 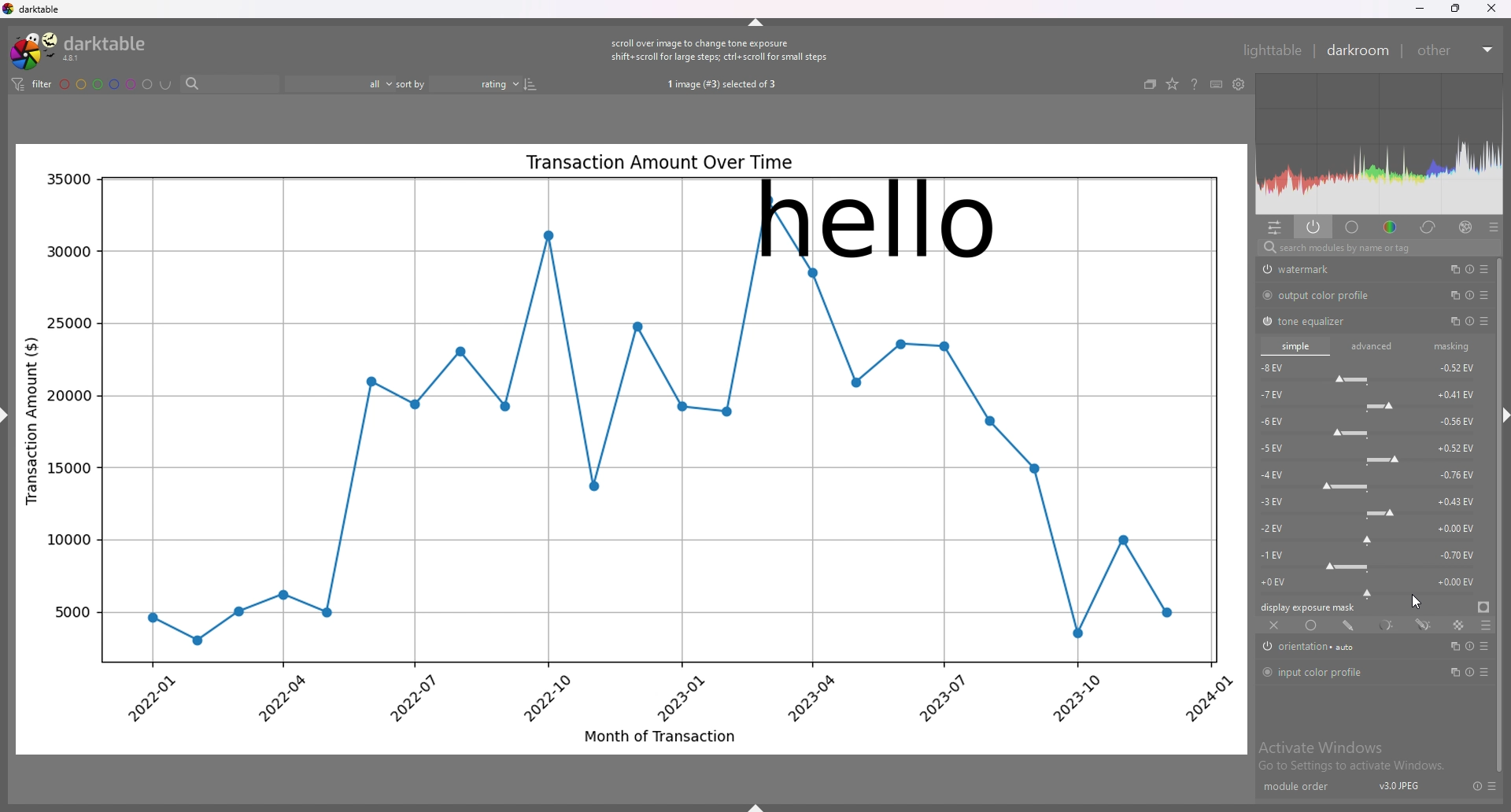 I want to click on cursor, so click(x=1420, y=603).